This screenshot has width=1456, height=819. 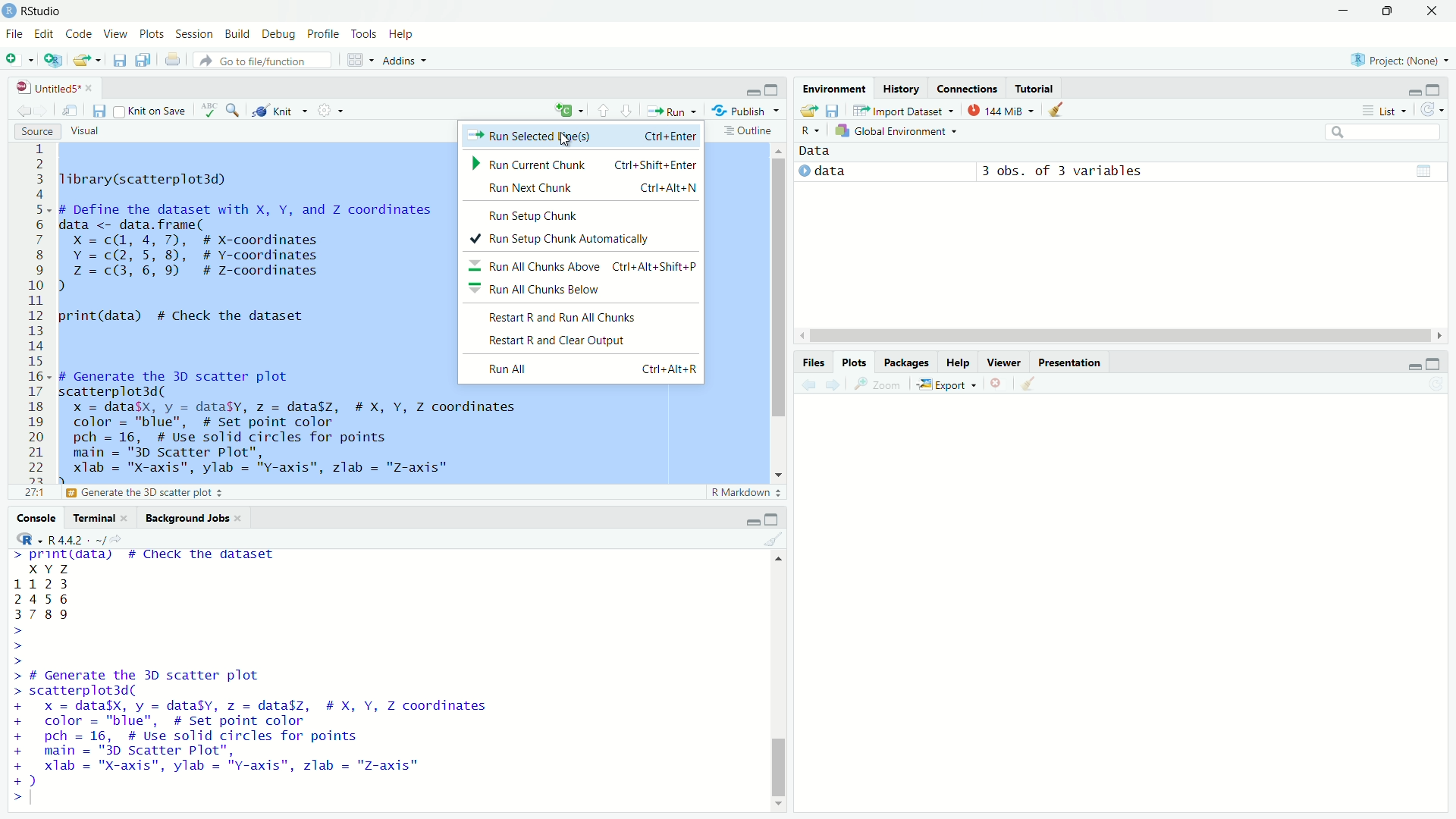 I want to click on run the current line or selection, so click(x=673, y=111).